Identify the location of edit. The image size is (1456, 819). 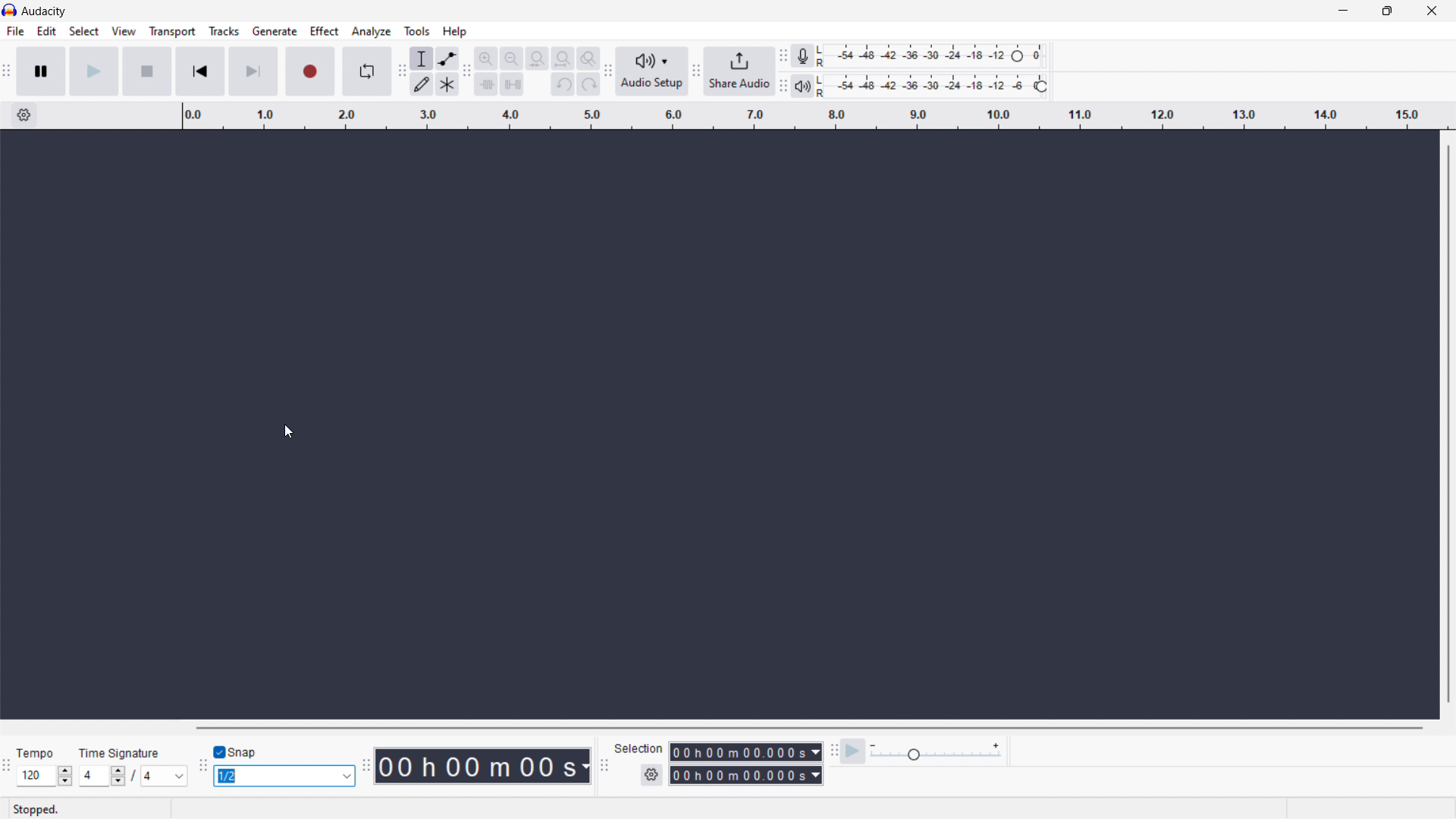
(48, 31).